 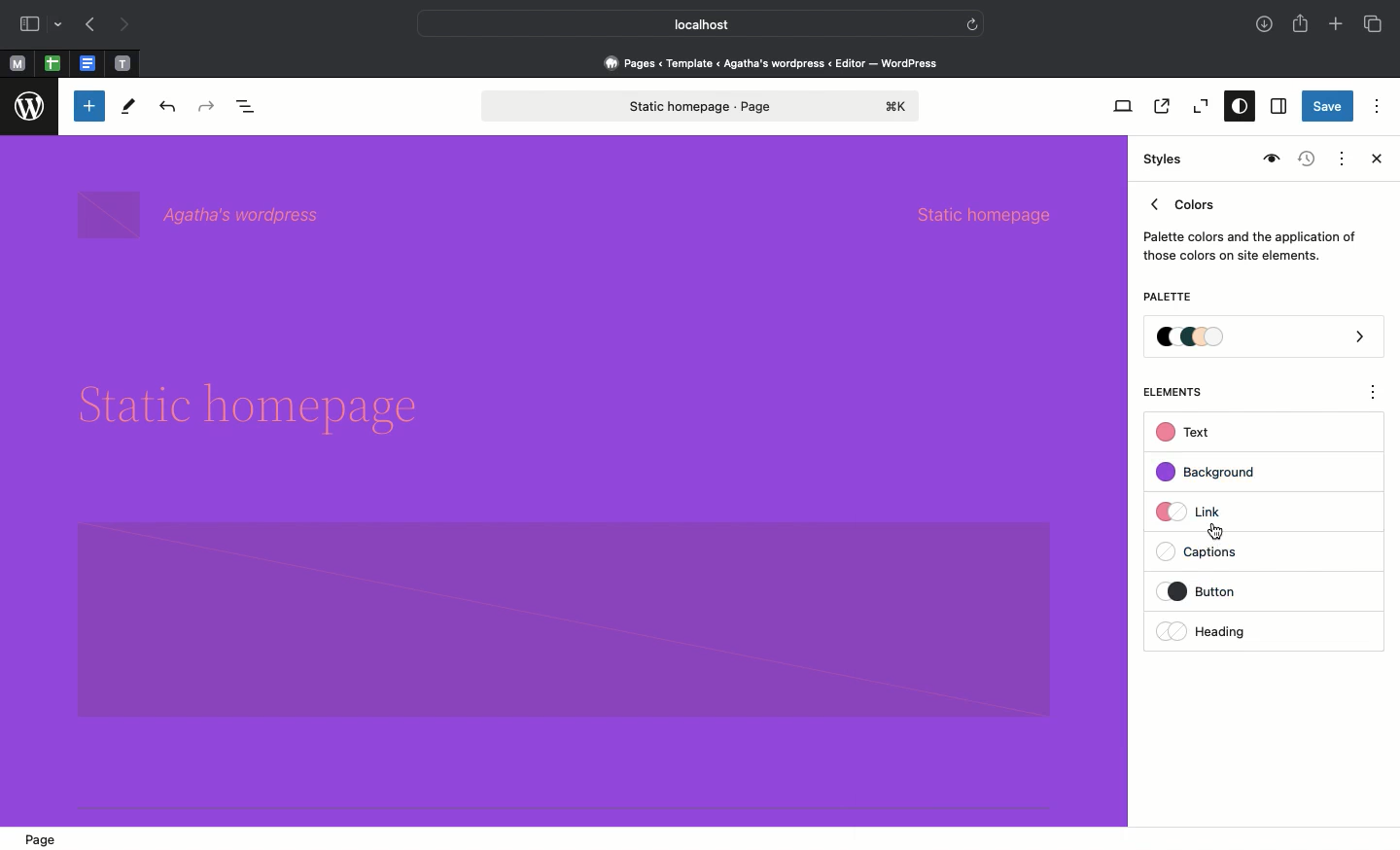 I want to click on Save, so click(x=1328, y=108).